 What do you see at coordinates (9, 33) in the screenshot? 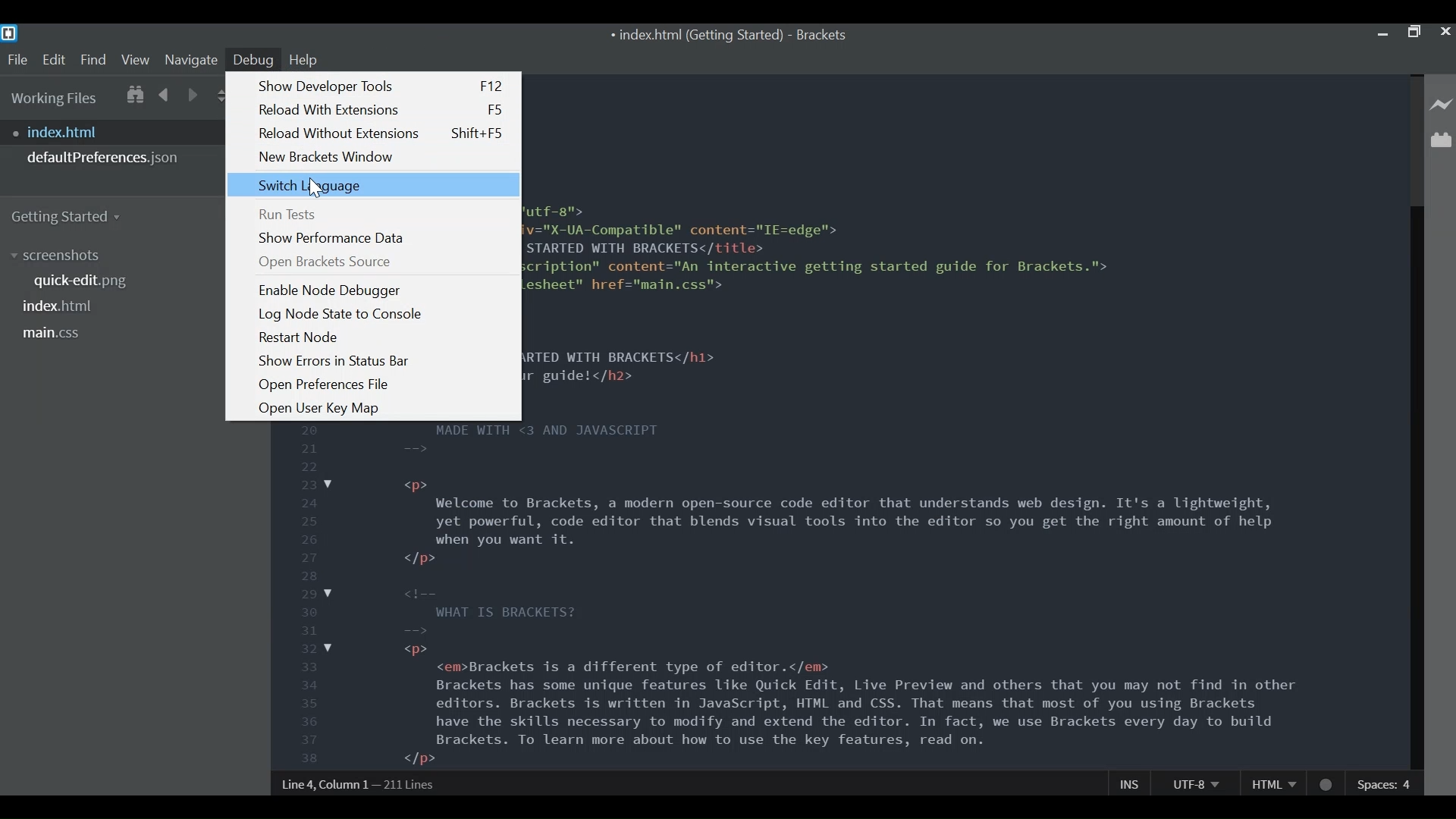
I see `Bracket Desktop Icon` at bounding box center [9, 33].